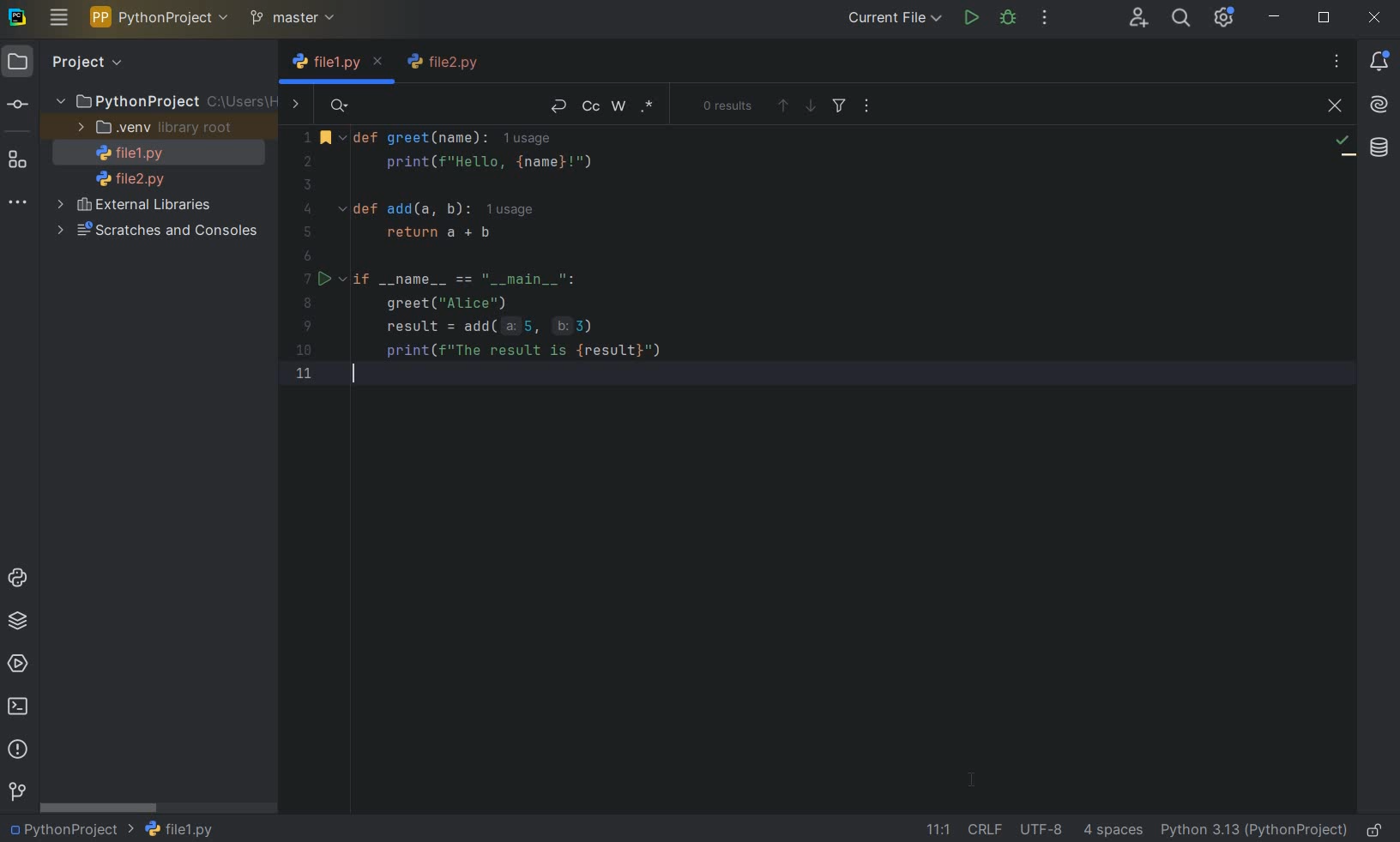  Describe the element at coordinates (299, 106) in the screenshot. I see `SHOW REPLACE FIELDS` at that location.